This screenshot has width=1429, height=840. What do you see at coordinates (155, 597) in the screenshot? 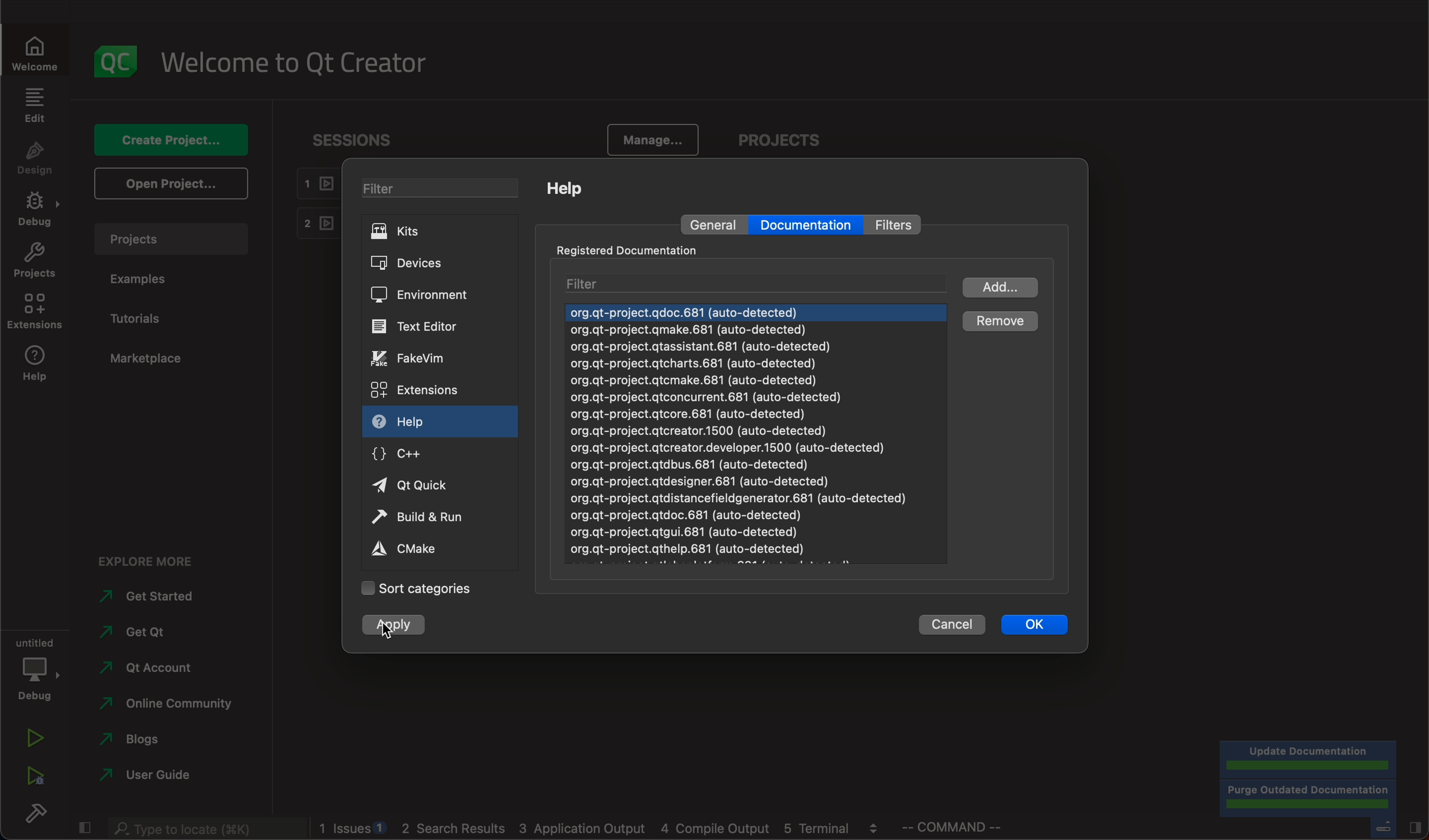
I see `started` at bounding box center [155, 597].